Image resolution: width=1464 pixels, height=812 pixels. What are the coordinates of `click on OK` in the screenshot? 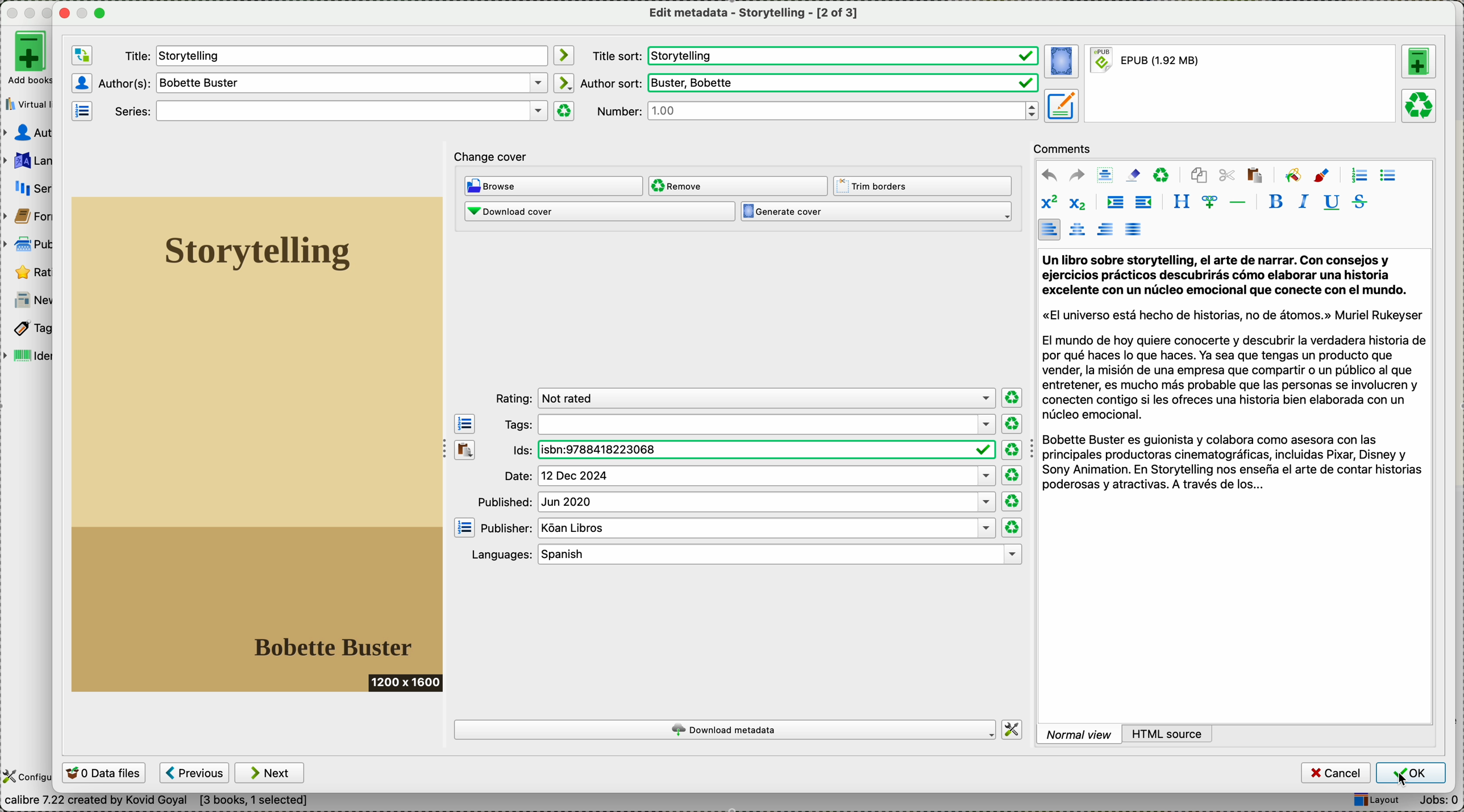 It's located at (1411, 775).